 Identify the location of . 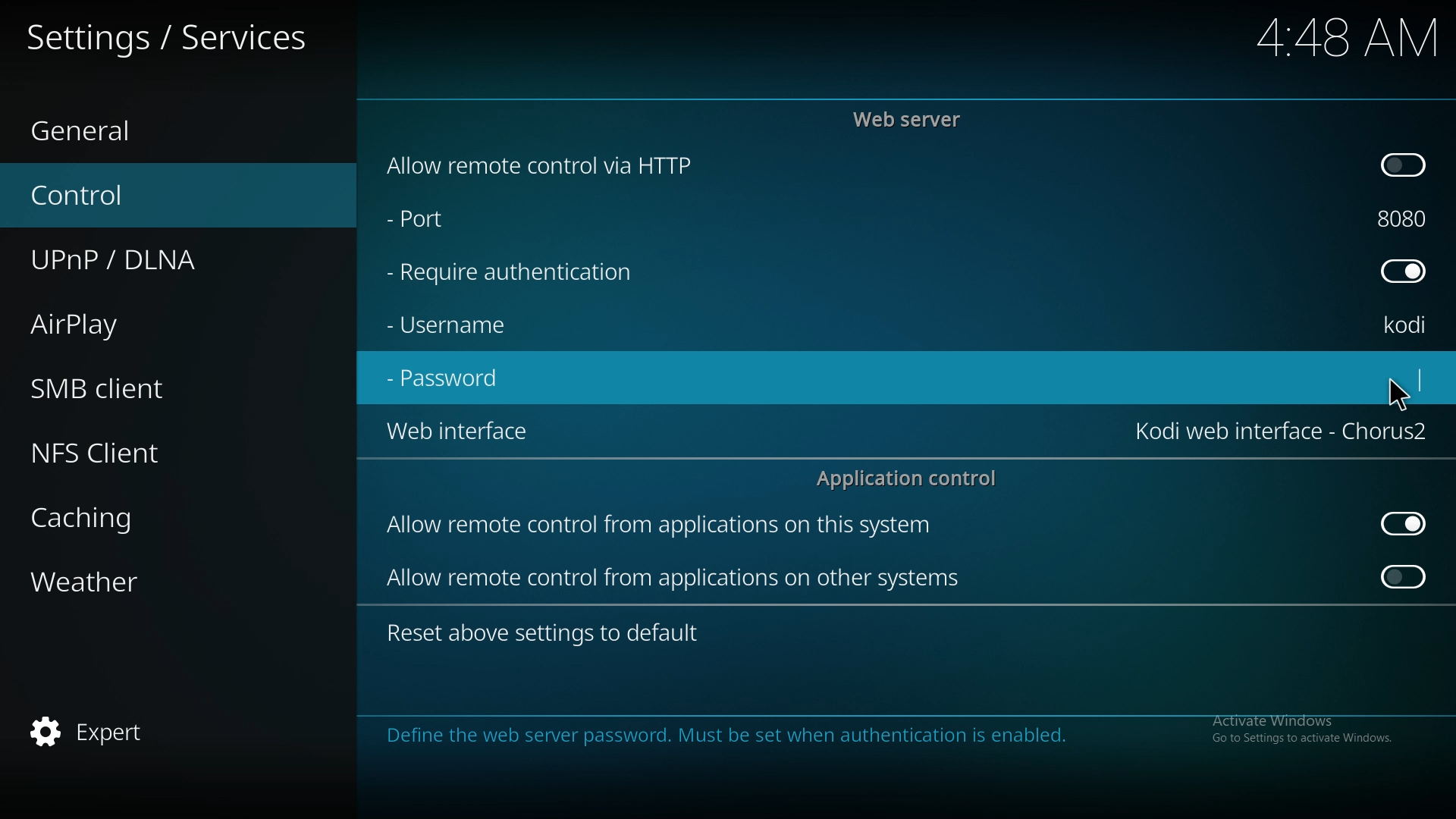
(1397, 391).